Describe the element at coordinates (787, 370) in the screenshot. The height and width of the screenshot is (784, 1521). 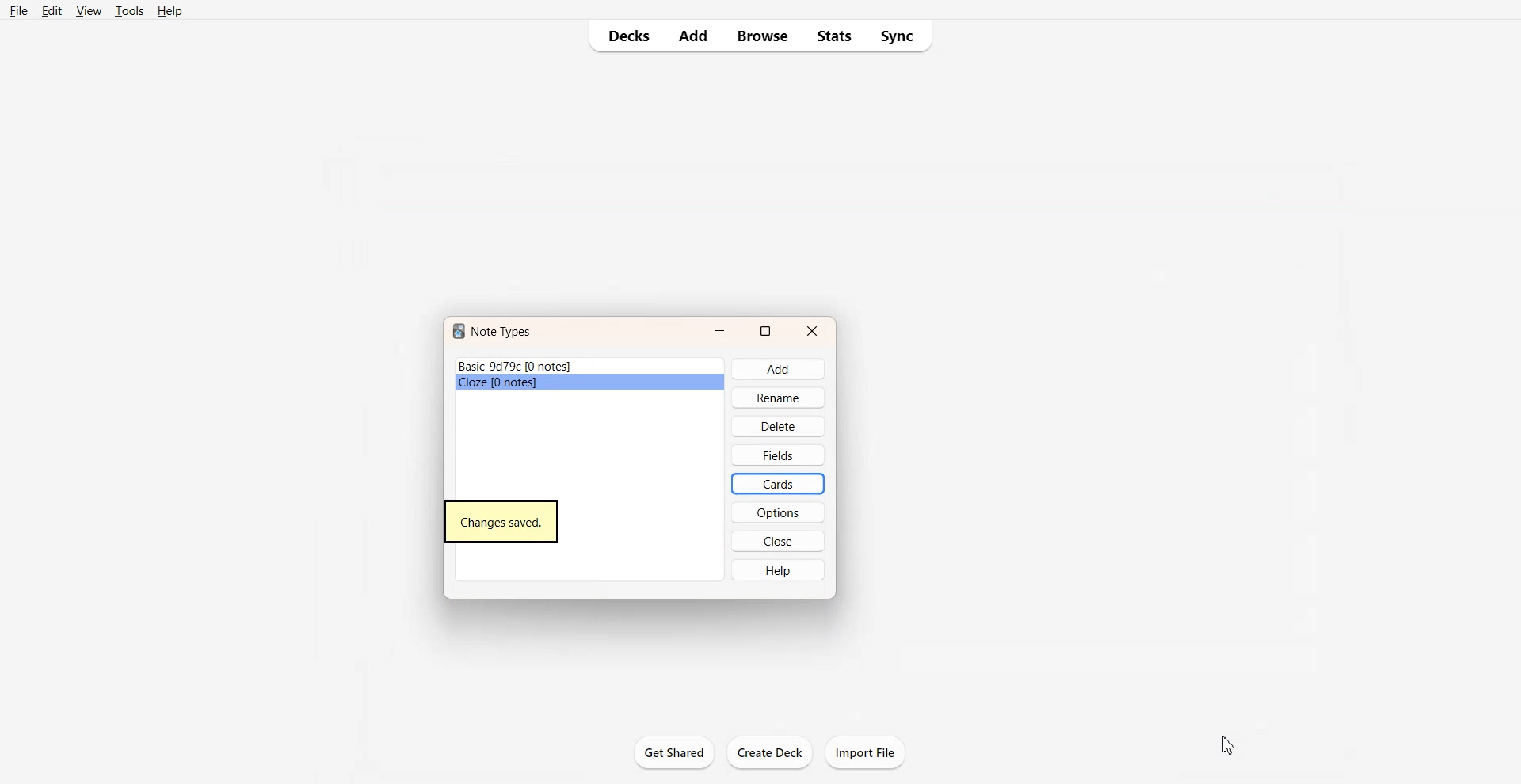
I see `add` at that location.